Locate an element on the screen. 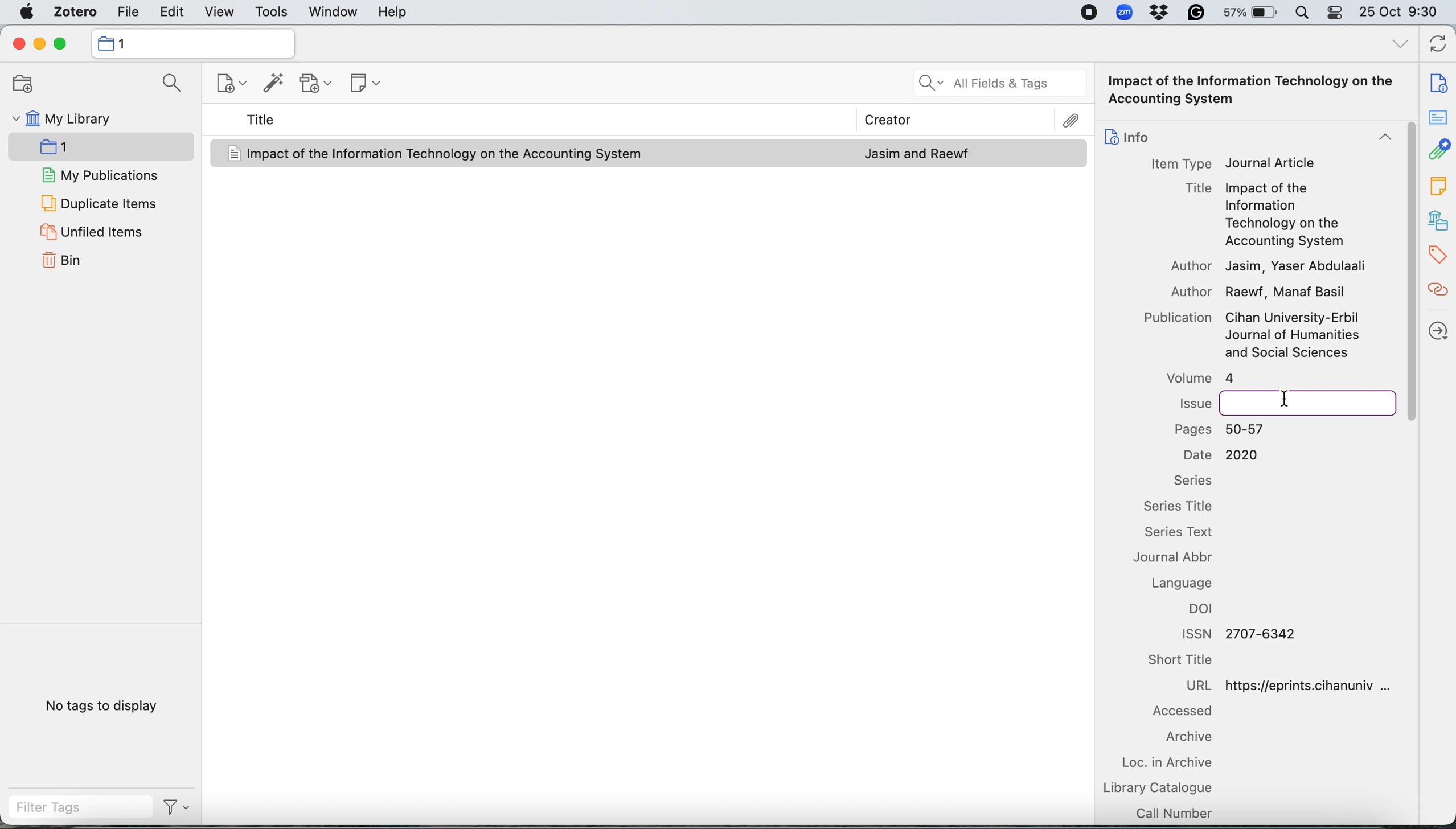 Image resolution: width=1456 pixels, height=829 pixels. Publication is located at coordinates (1175, 319).